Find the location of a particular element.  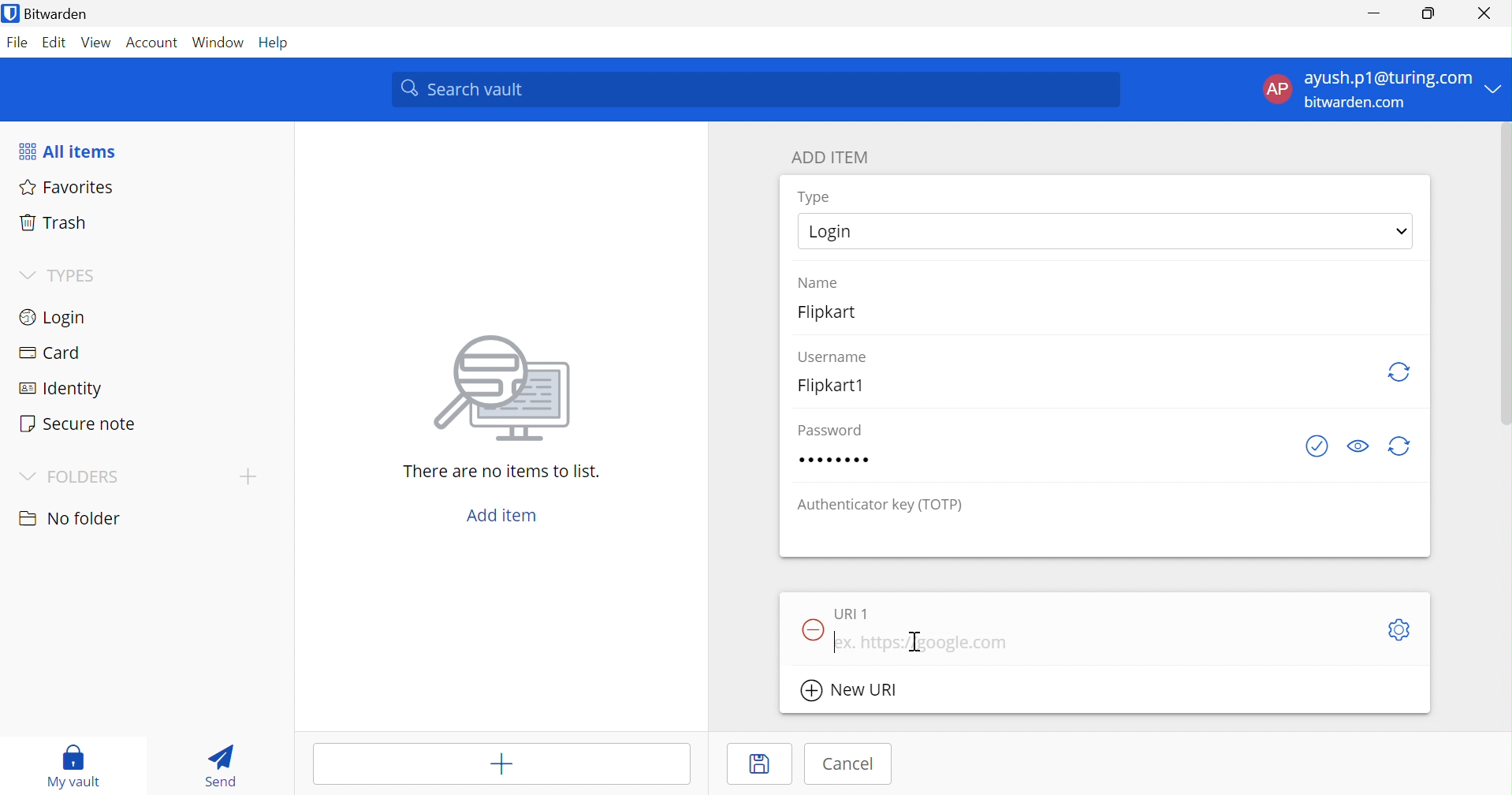

Minimize is located at coordinates (1371, 13).